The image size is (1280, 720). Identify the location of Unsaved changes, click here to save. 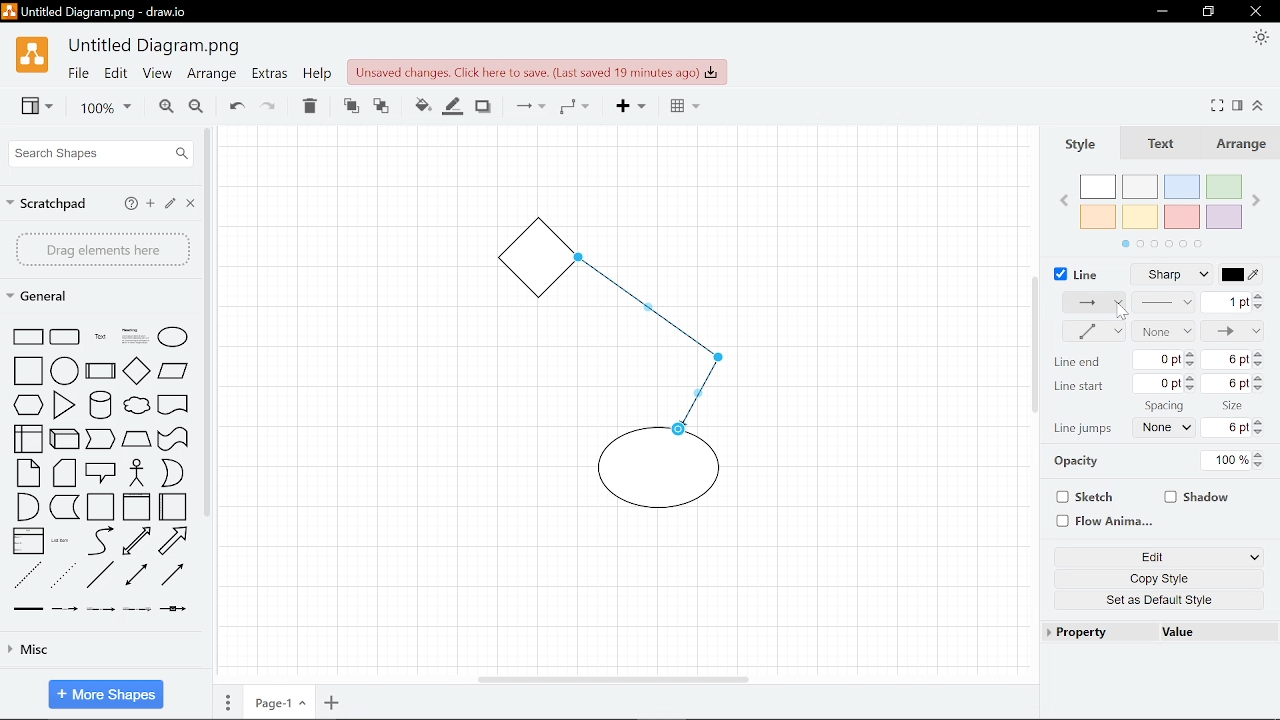
(537, 71).